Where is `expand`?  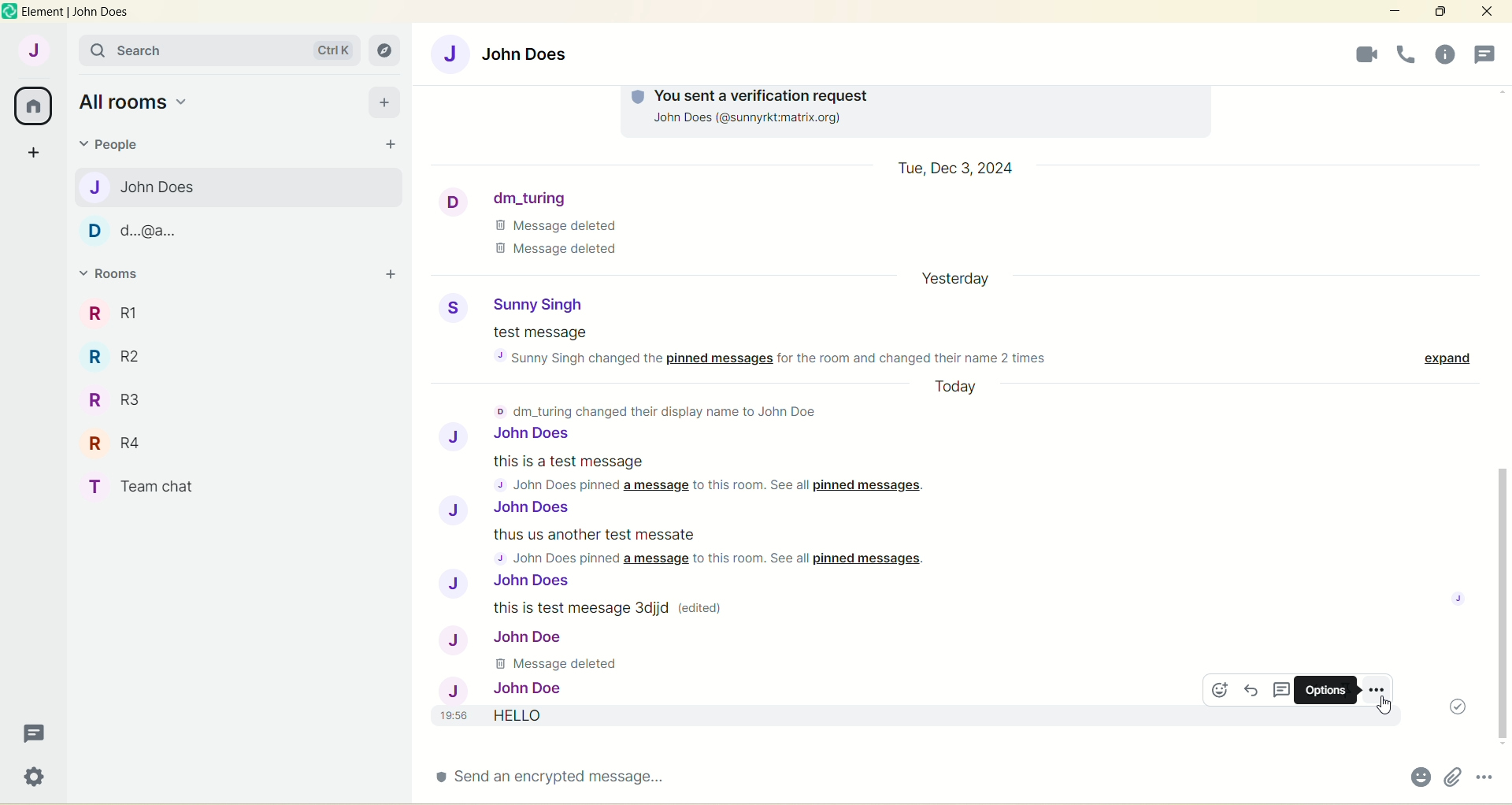 expand is located at coordinates (1440, 358).